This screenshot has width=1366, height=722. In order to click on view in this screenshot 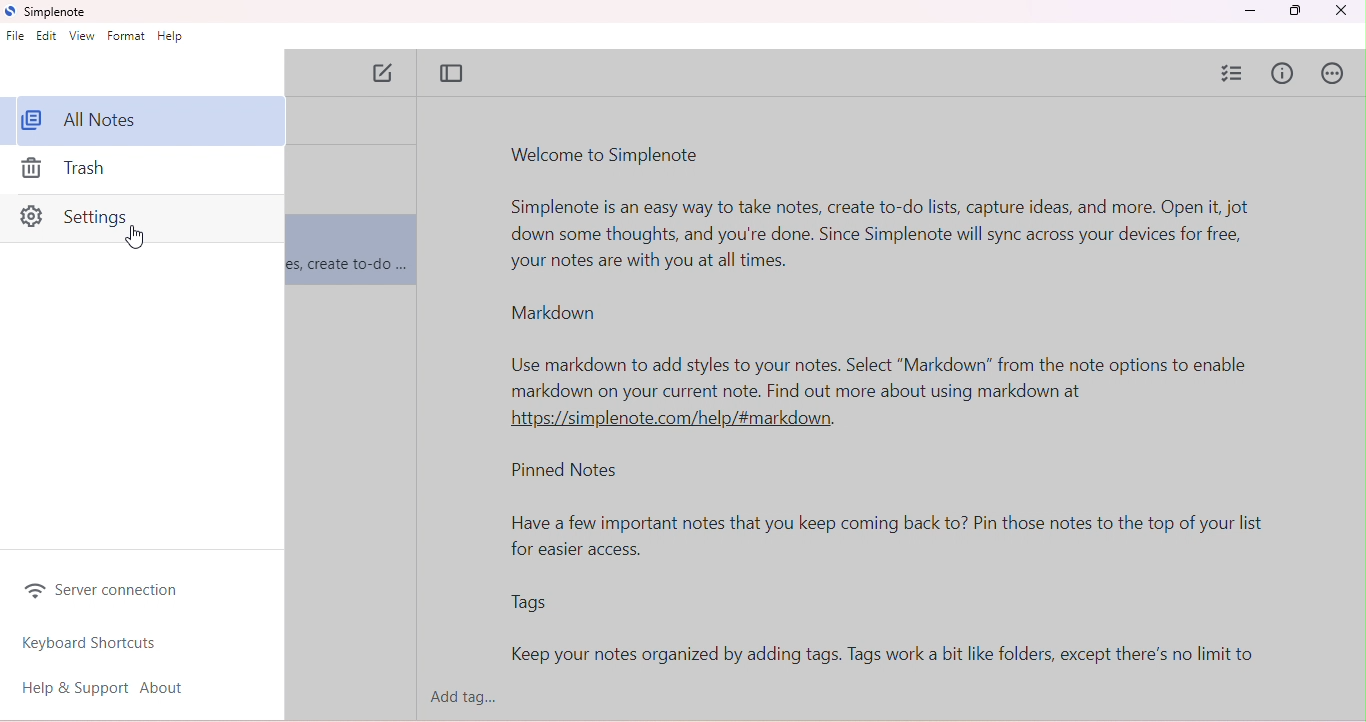, I will do `click(83, 36)`.